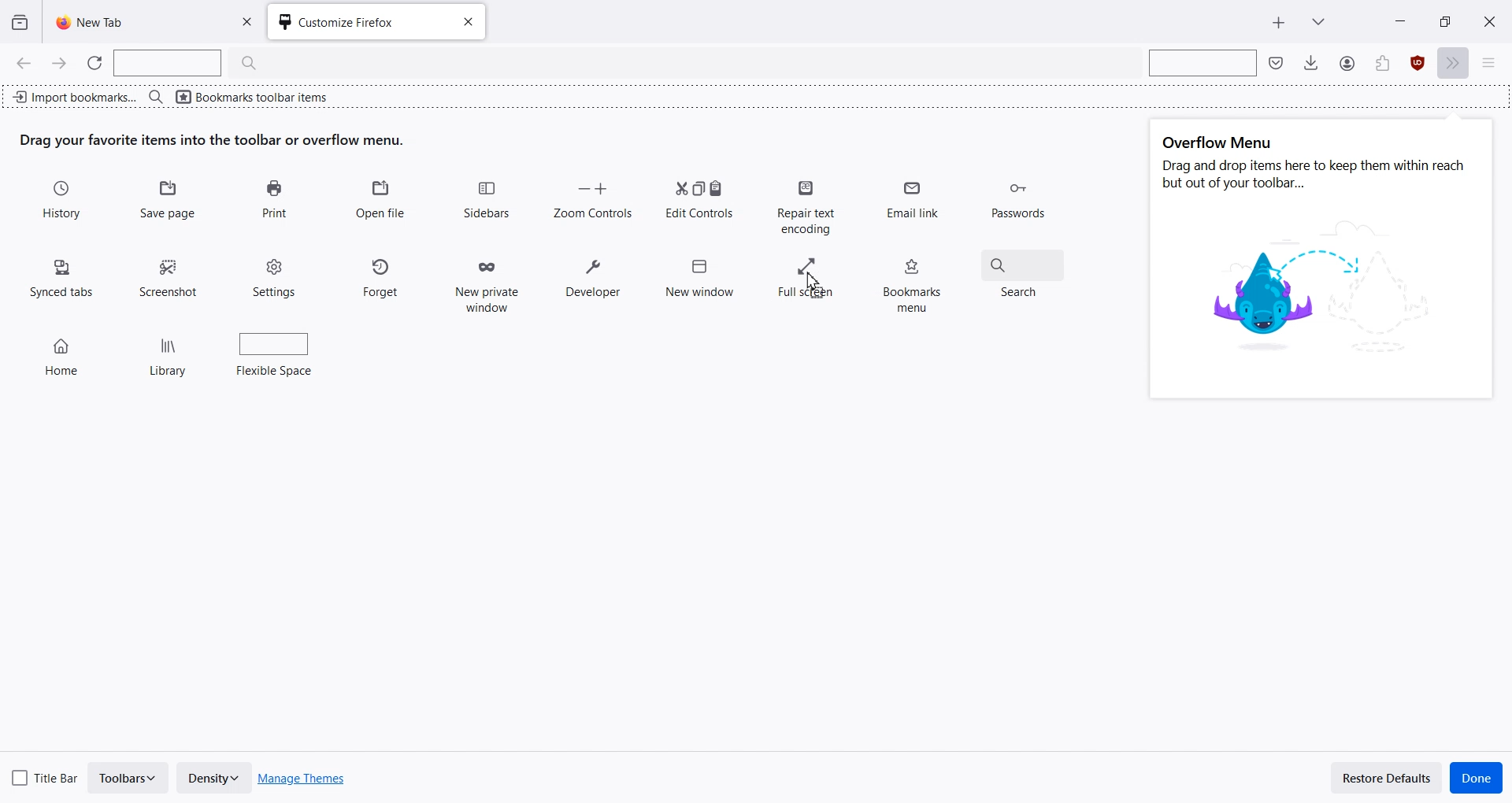  Describe the element at coordinates (195, 63) in the screenshot. I see `Search Bar` at that location.